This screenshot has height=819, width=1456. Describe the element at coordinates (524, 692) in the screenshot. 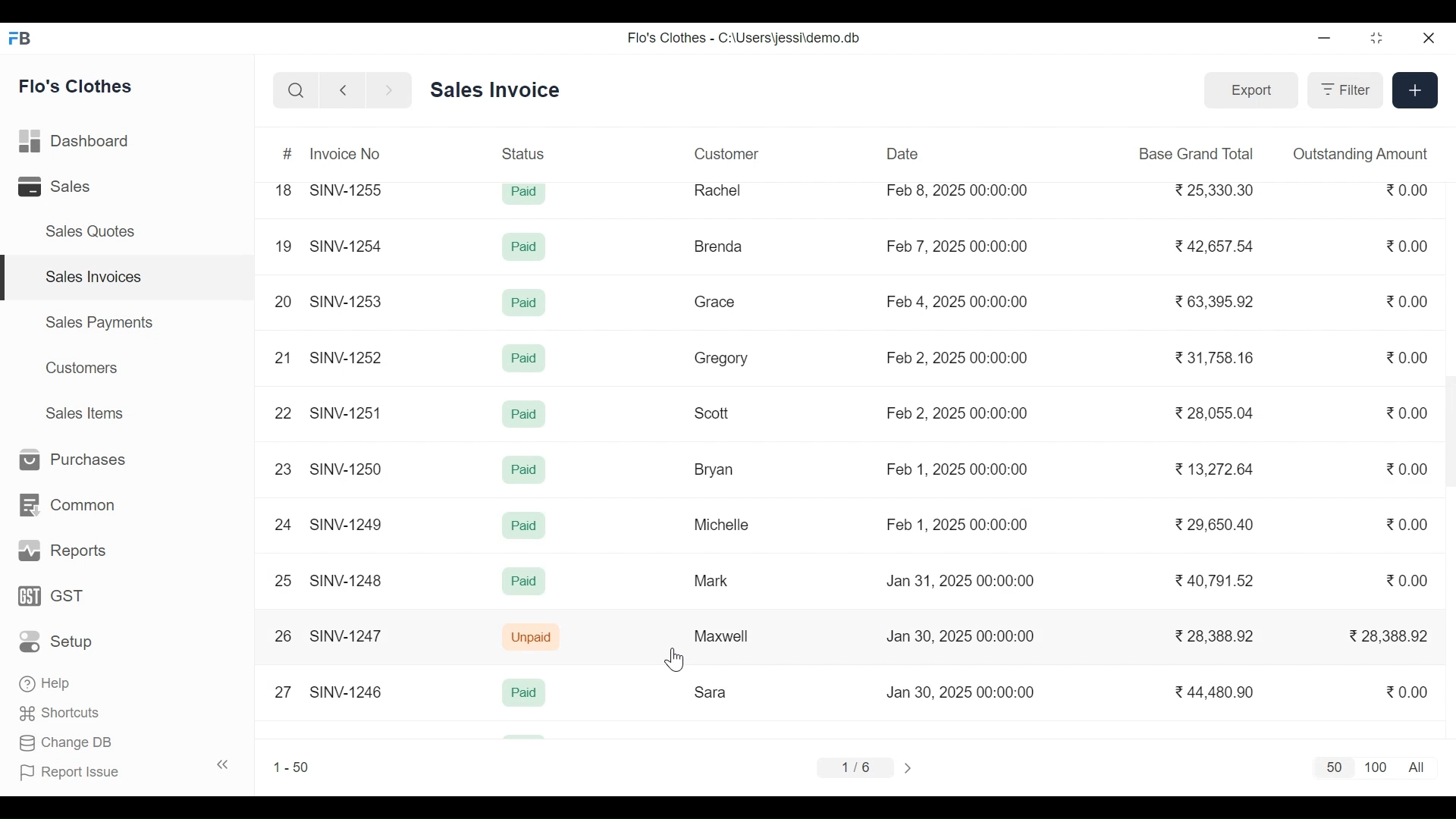

I see `Paid` at that location.